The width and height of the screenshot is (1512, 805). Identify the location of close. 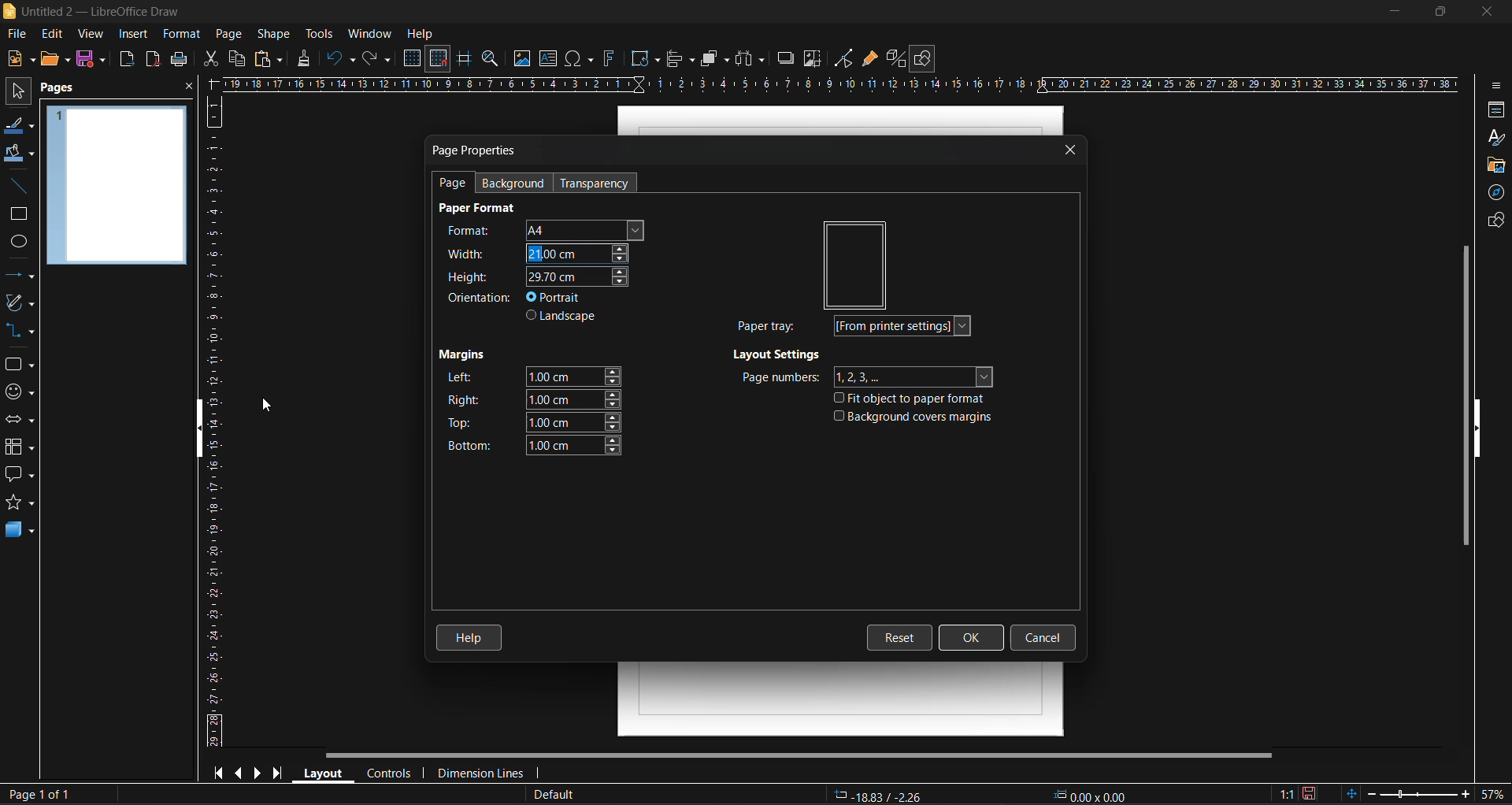
(1488, 13).